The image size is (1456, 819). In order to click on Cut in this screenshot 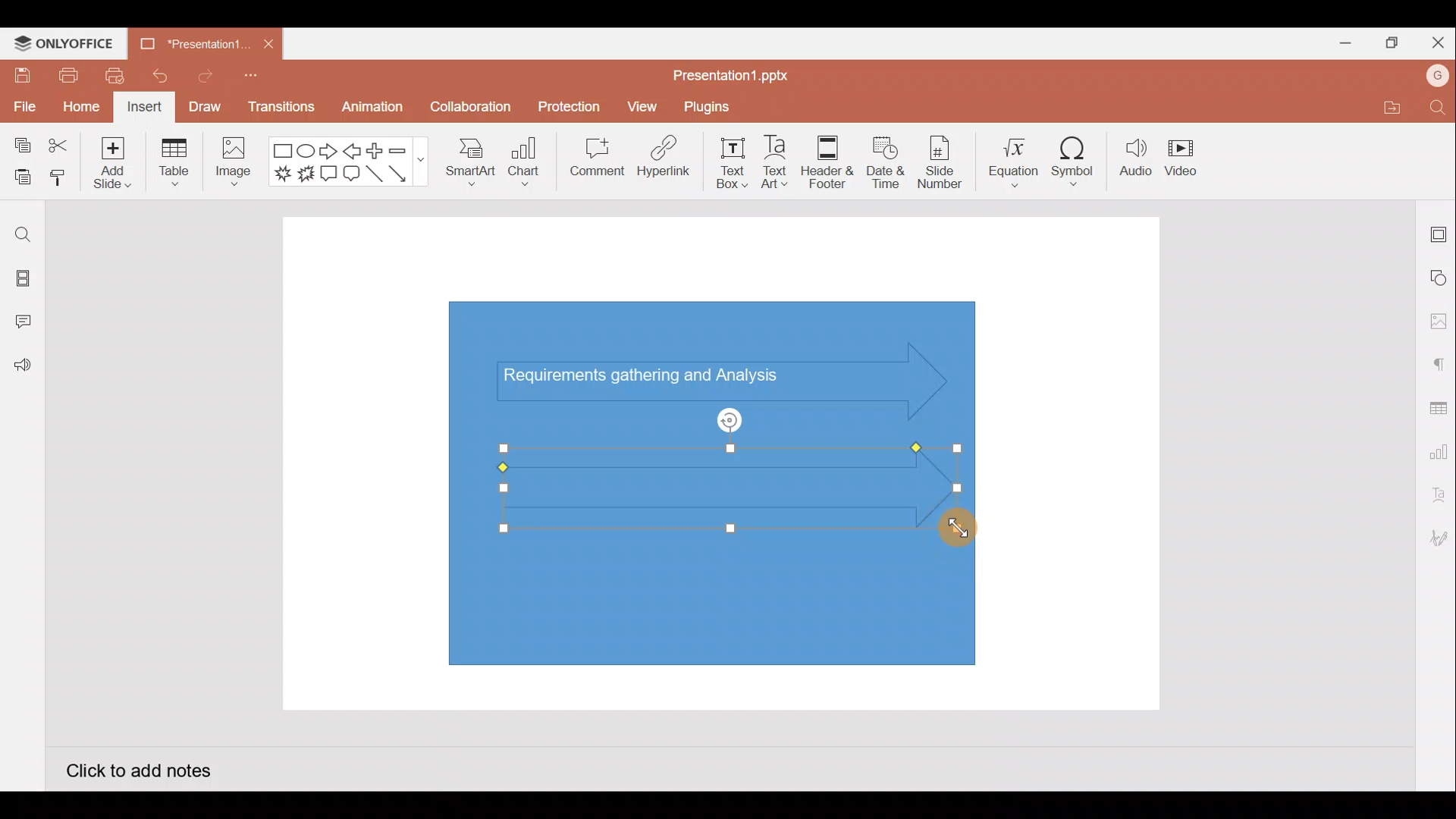, I will do `click(59, 146)`.